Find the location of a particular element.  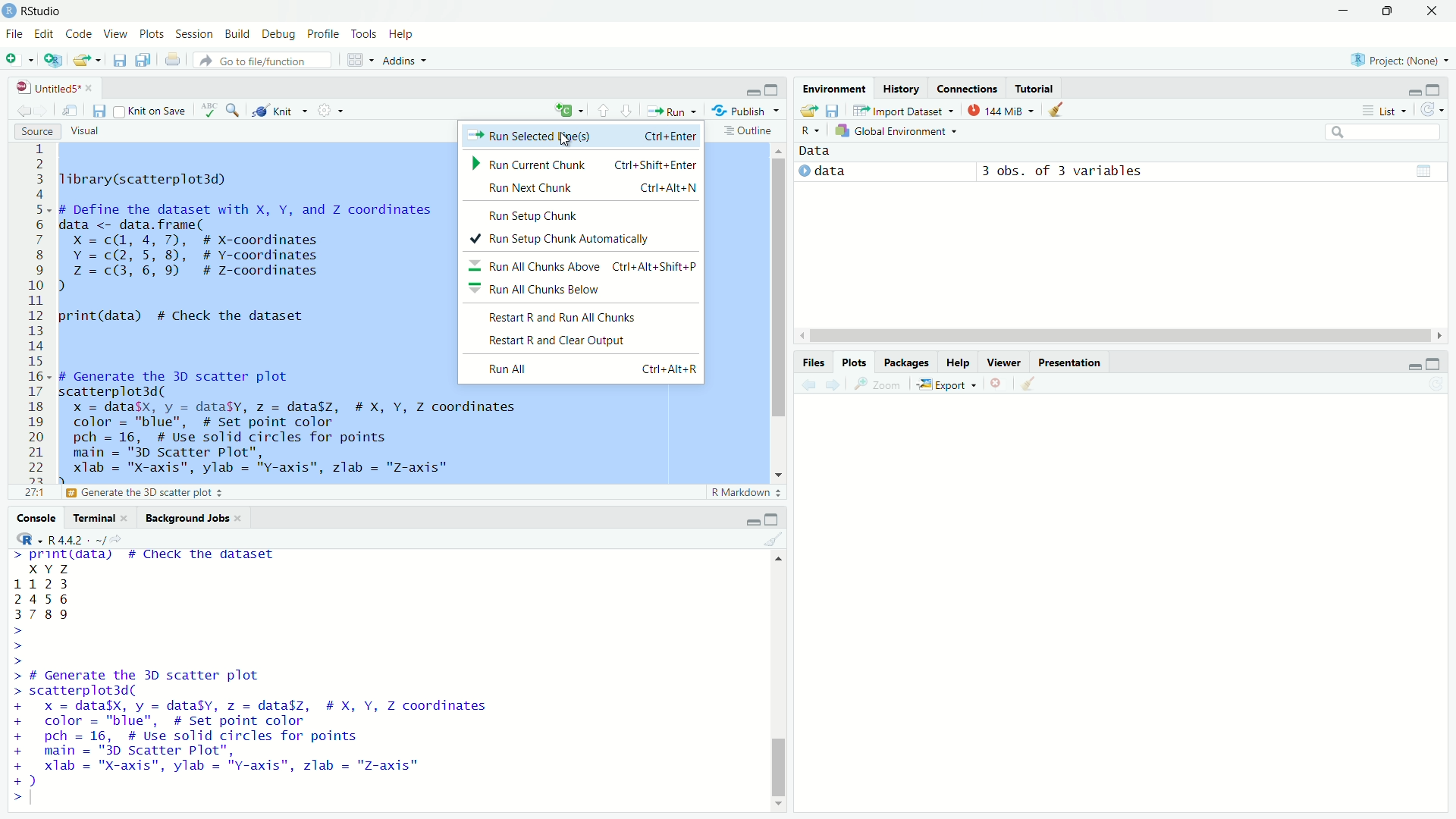

minimize is located at coordinates (752, 91).